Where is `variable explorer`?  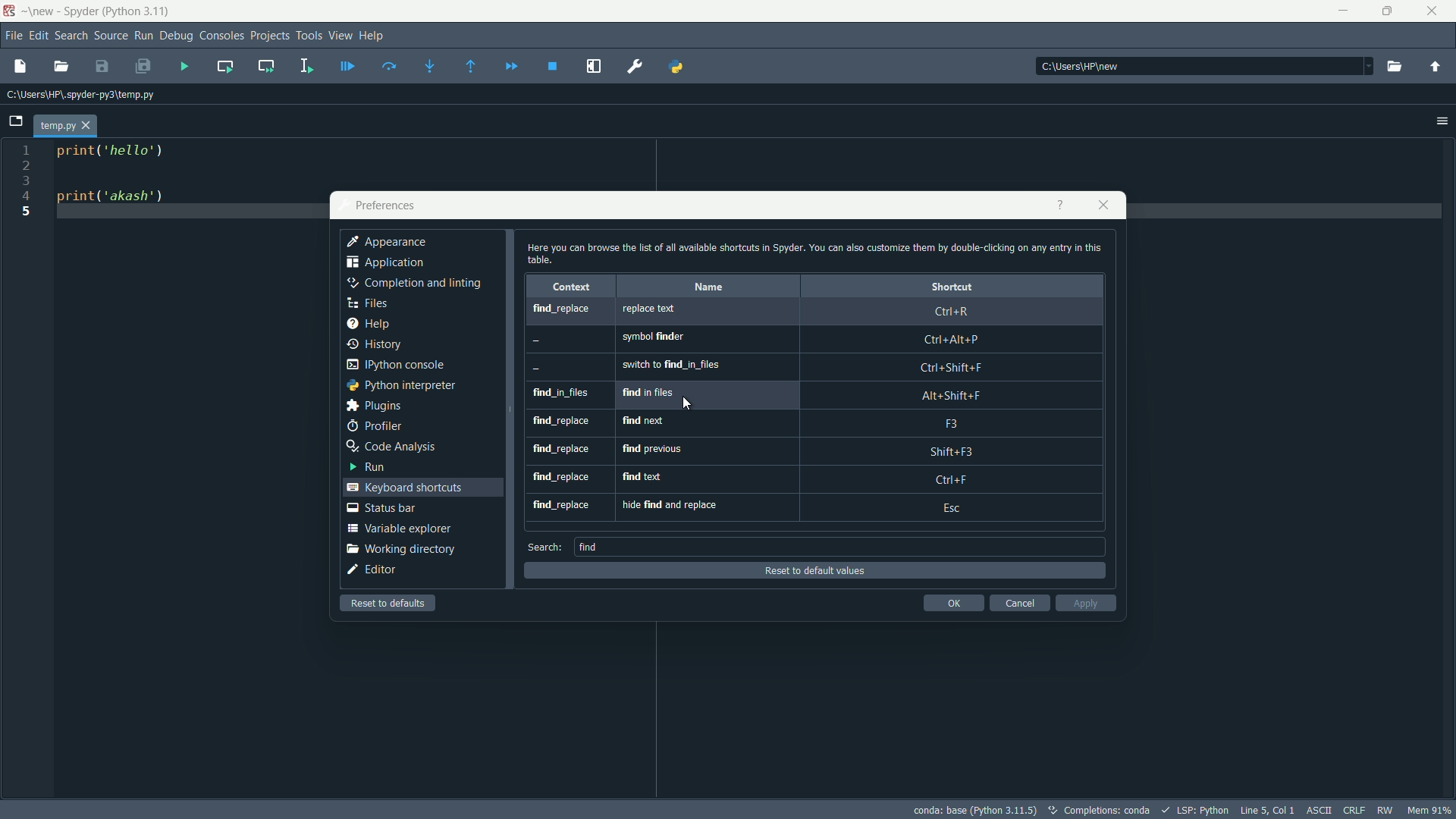 variable explorer is located at coordinates (399, 529).